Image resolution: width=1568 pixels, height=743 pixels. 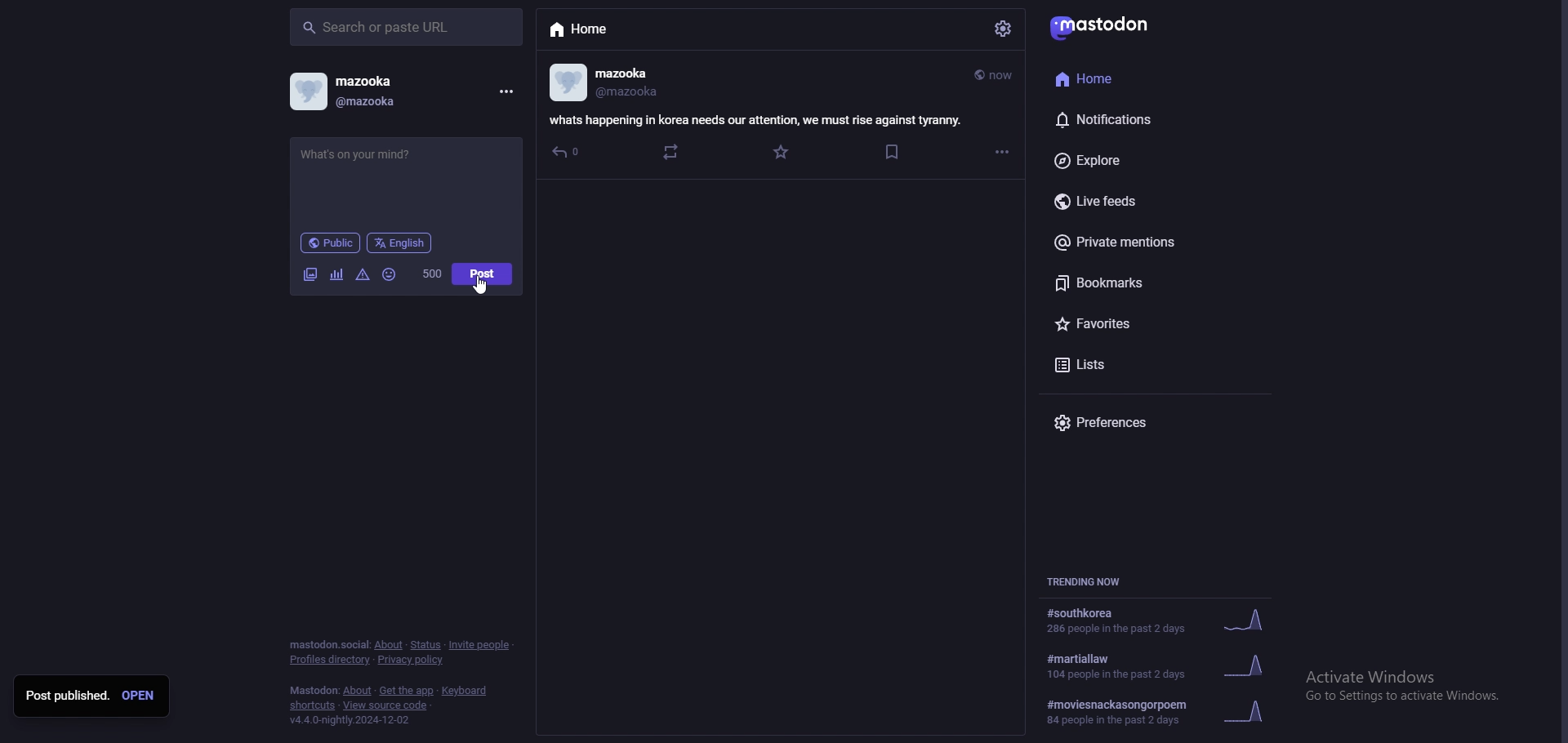 What do you see at coordinates (892, 151) in the screenshot?
I see `bookmarks` at bounding box center [892, 151].